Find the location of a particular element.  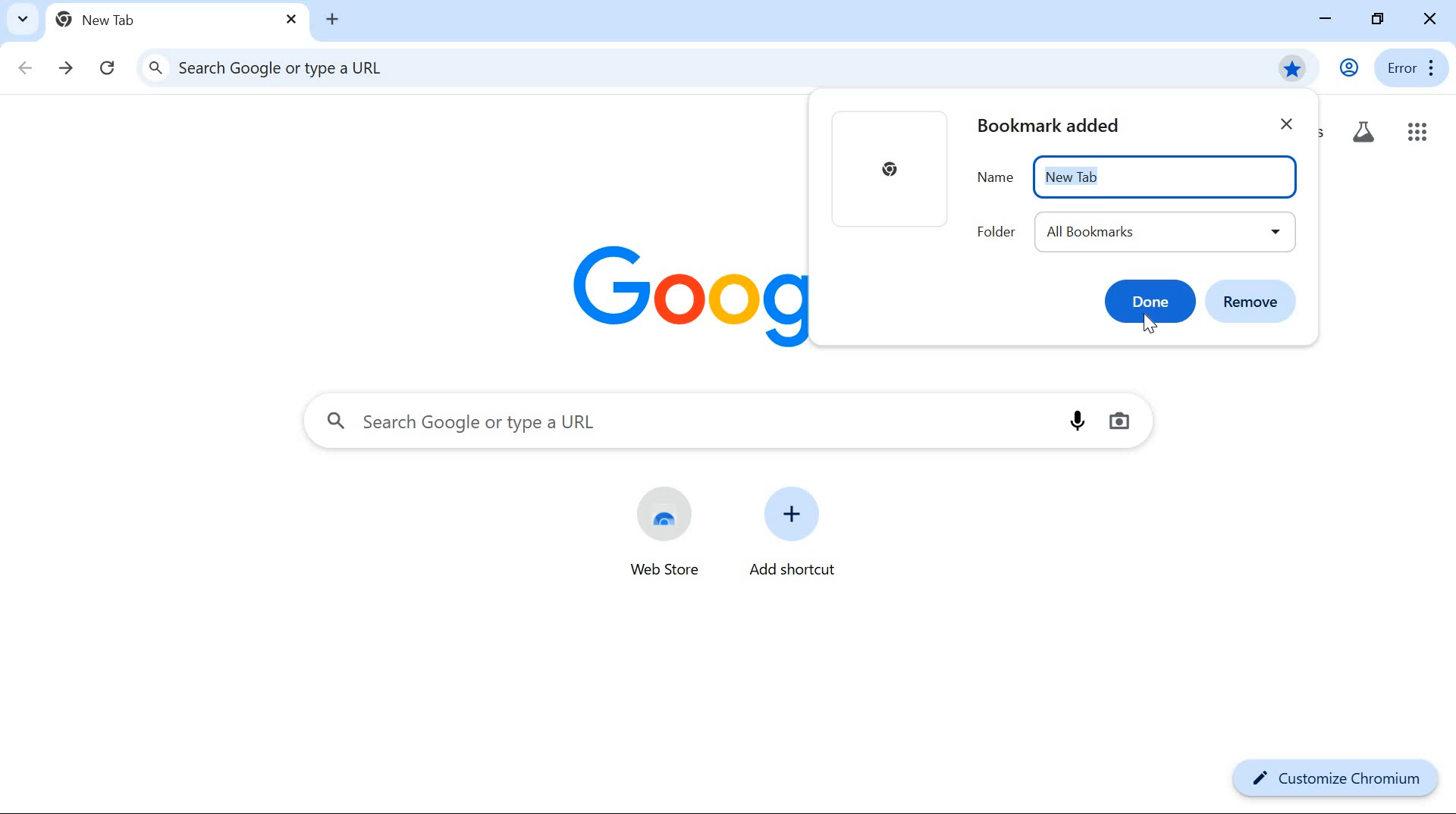

bookmark New Tab is located at coordinates (1045, 127).